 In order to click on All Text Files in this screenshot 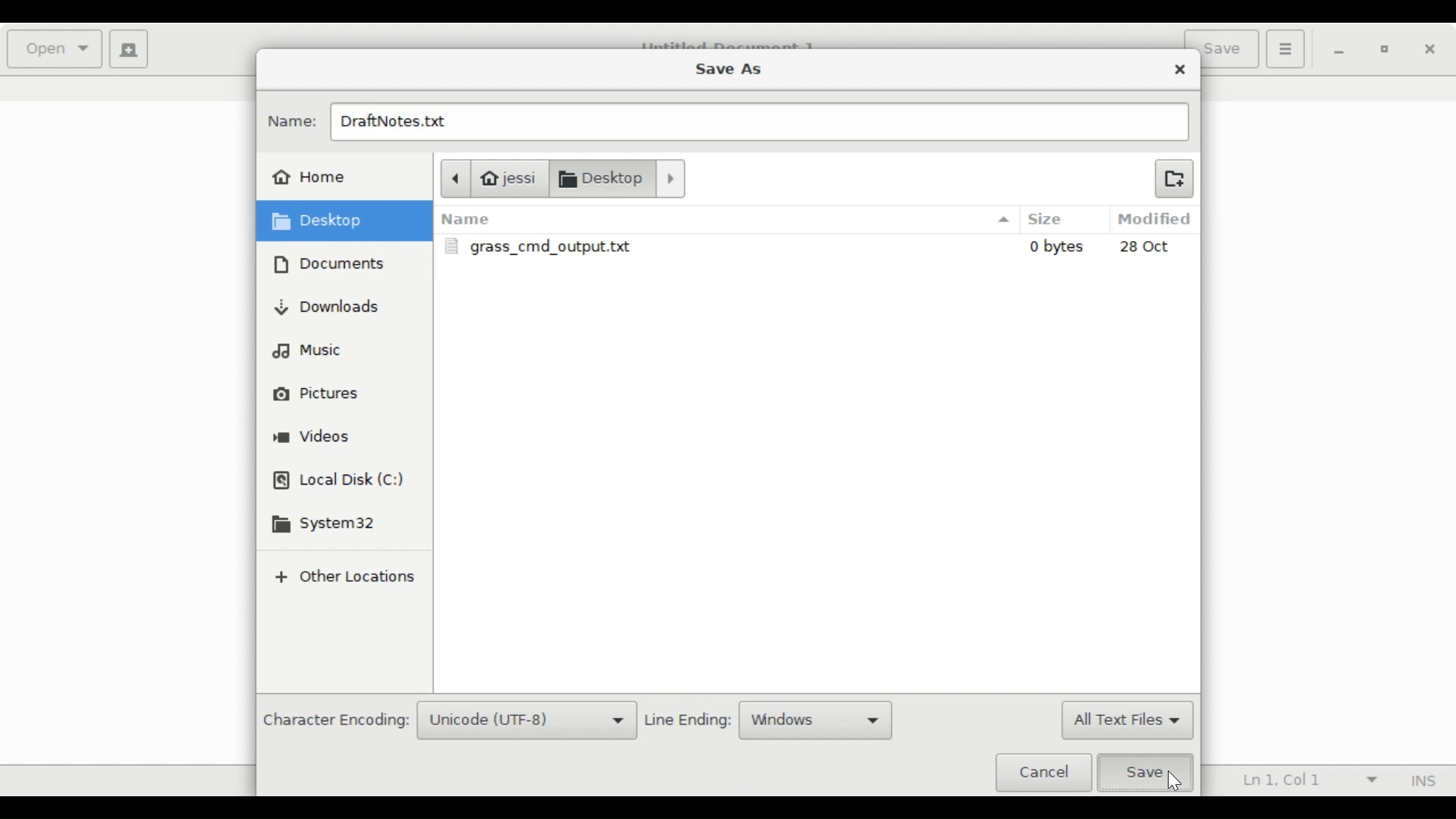, I will do `click(1126, 721)`.